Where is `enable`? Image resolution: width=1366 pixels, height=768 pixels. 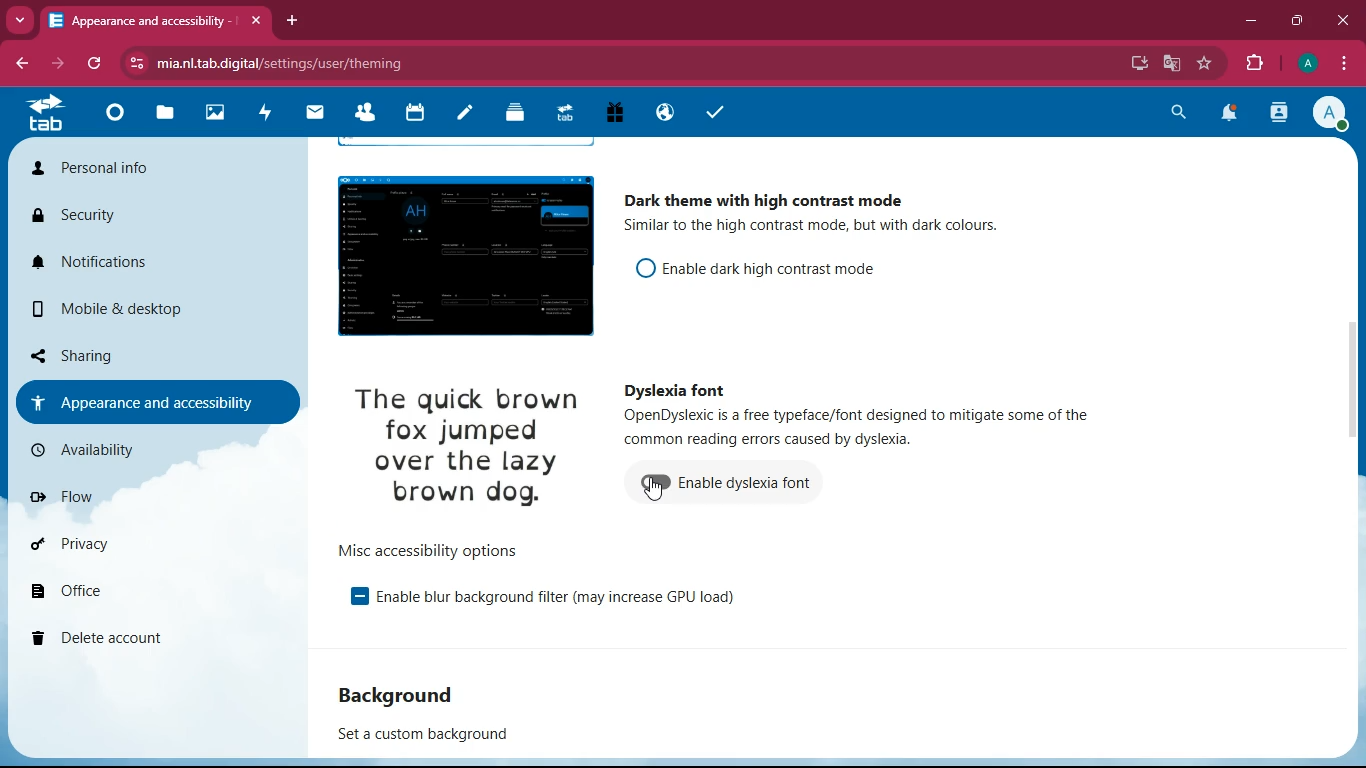 enable is located at coordinates (769, 265).